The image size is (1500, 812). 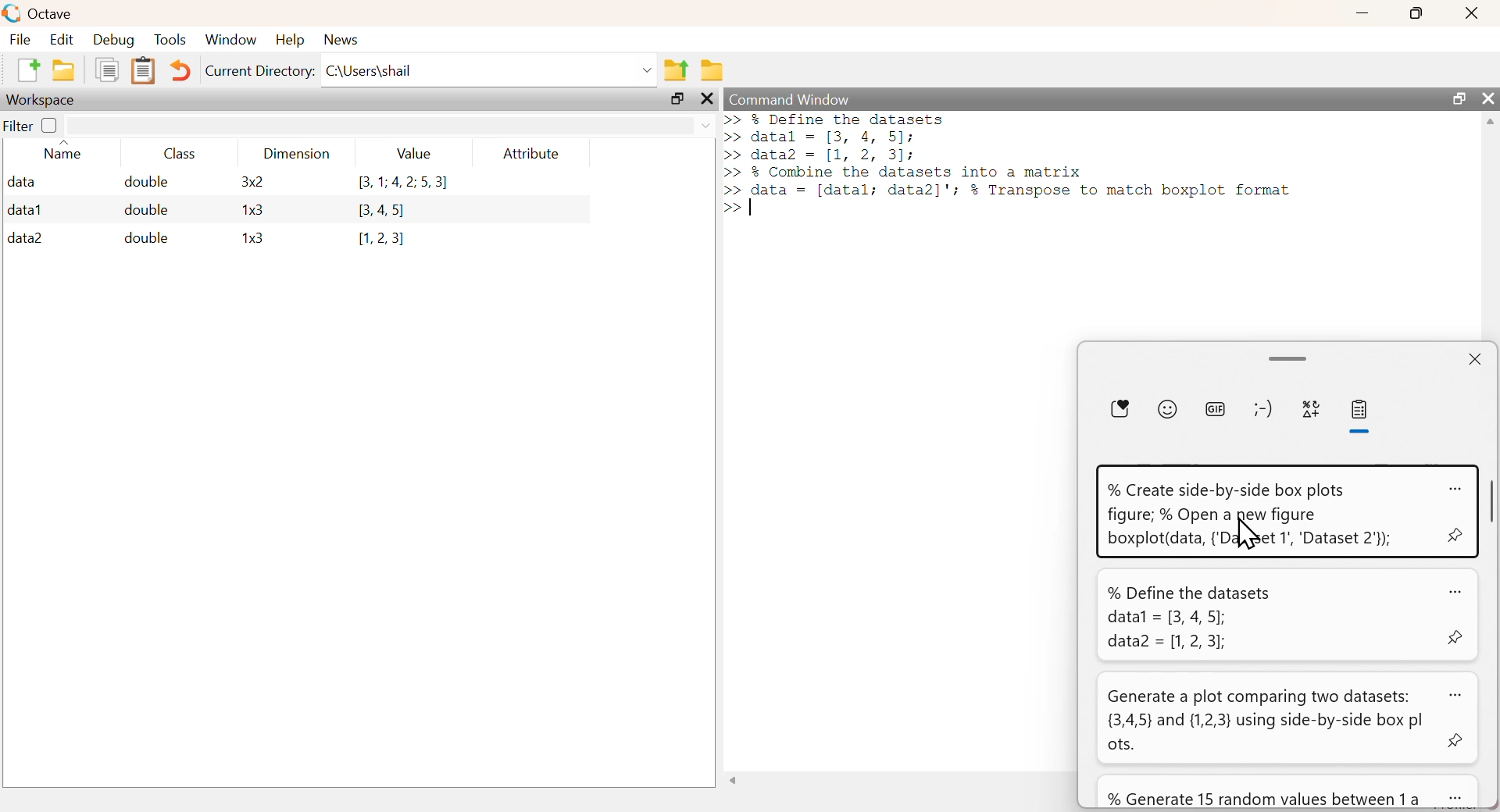 What do you see at coordinates (1472, 13) in the screenshot?
I see `close` at bounding box center [1472, 13].